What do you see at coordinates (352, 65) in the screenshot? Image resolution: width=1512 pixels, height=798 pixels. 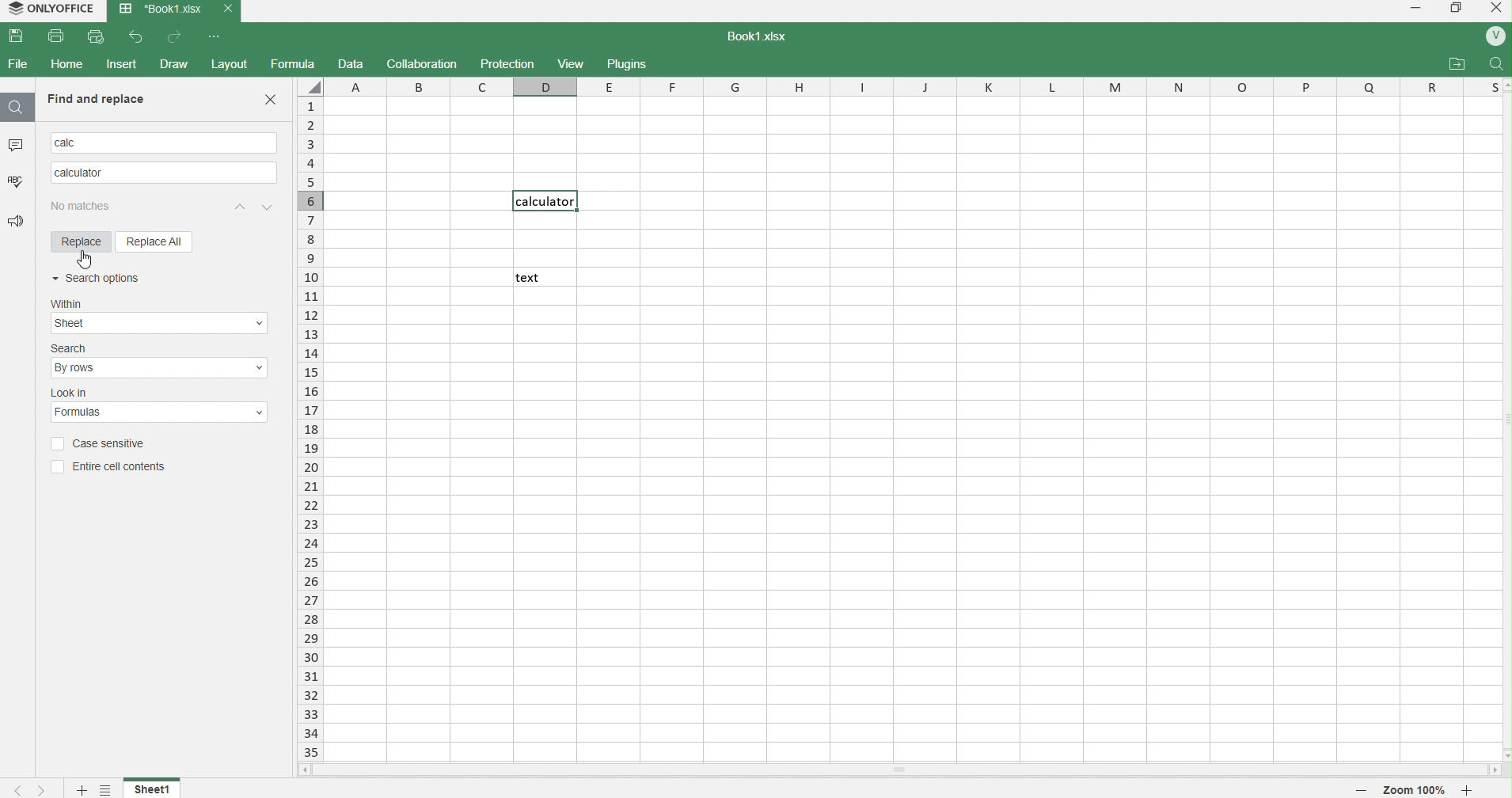 I see `data` at bounding box center [352, 65].